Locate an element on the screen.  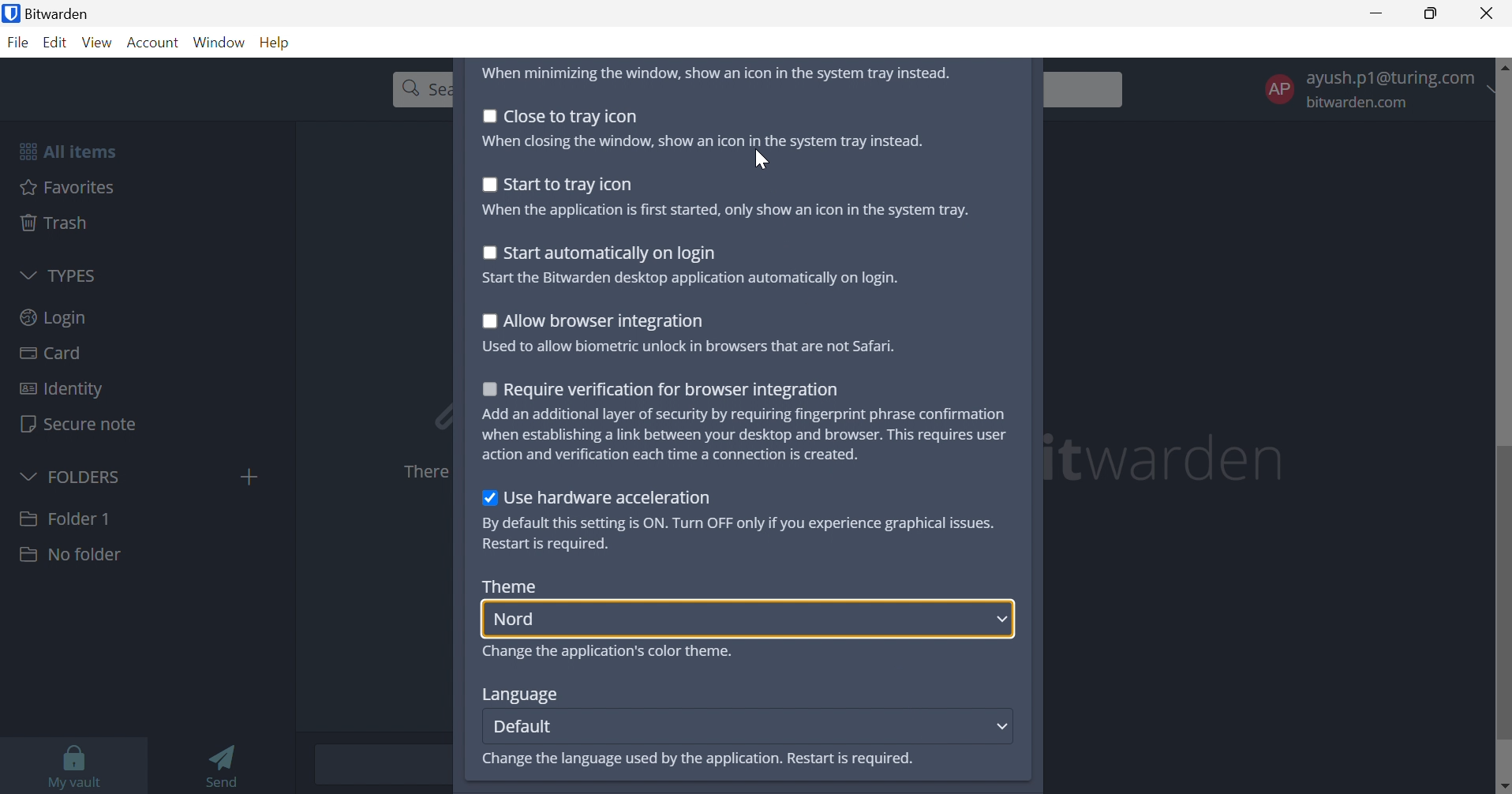
Change the application's color theme. is located at coordinates (610, 652).